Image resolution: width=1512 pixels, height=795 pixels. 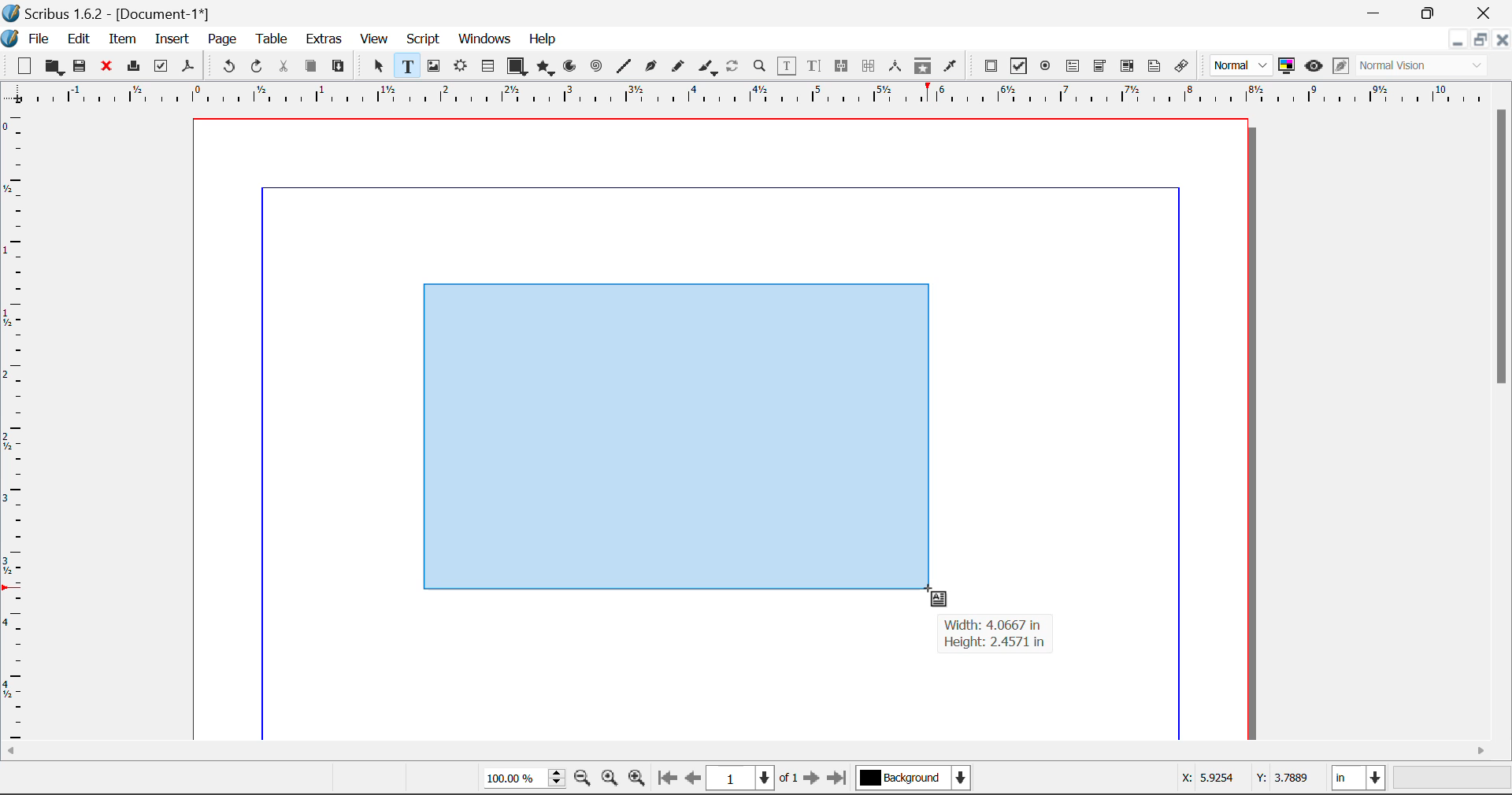 What do you see at coordinates (406, 65) in the screenshot?
I see `Text Frame Selected` at bounding box center [406, 65].